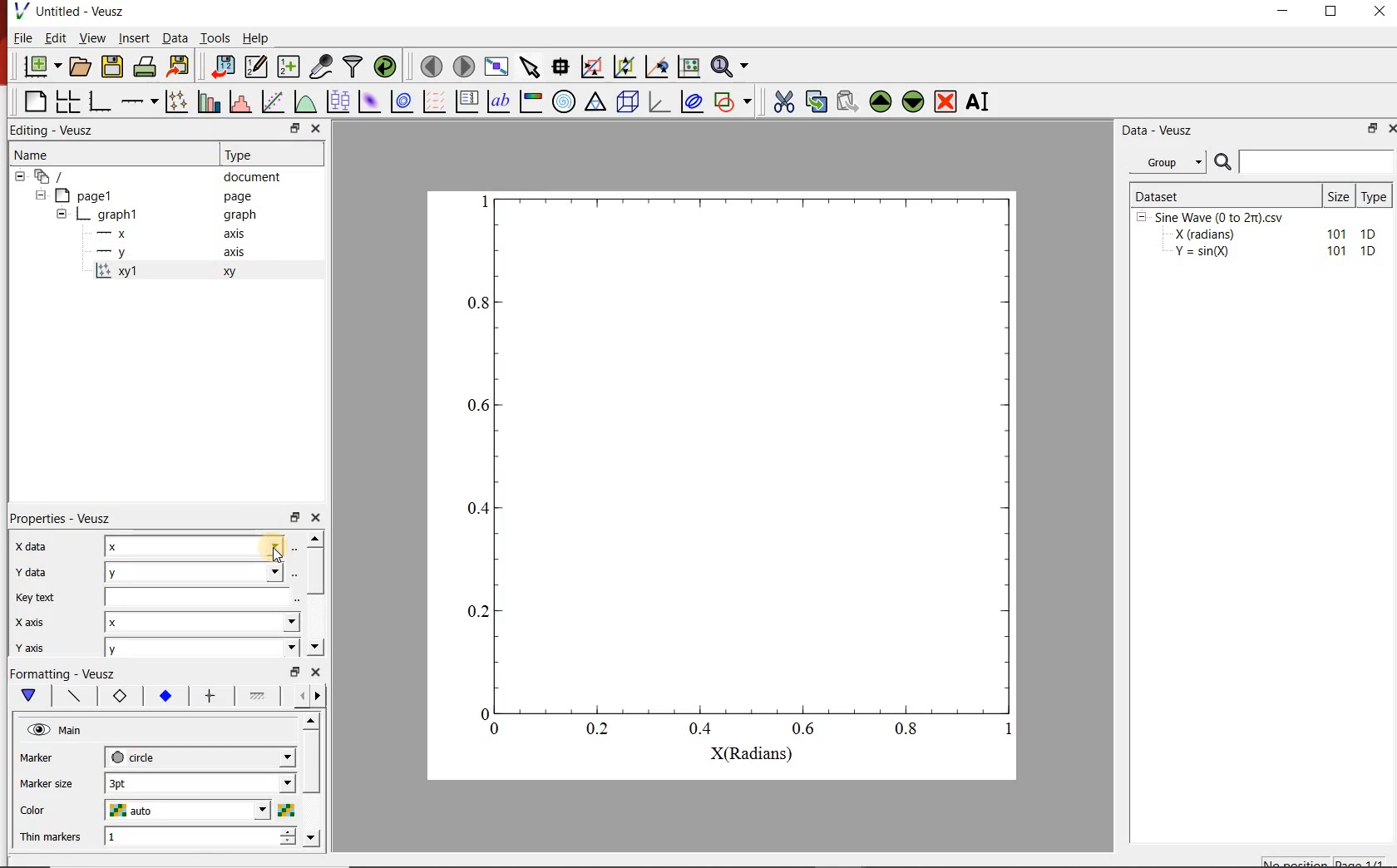 The image size is (1397, 868). Describe the element at coordinates (28, 620) in the screenshot. I see `Log` at that location.